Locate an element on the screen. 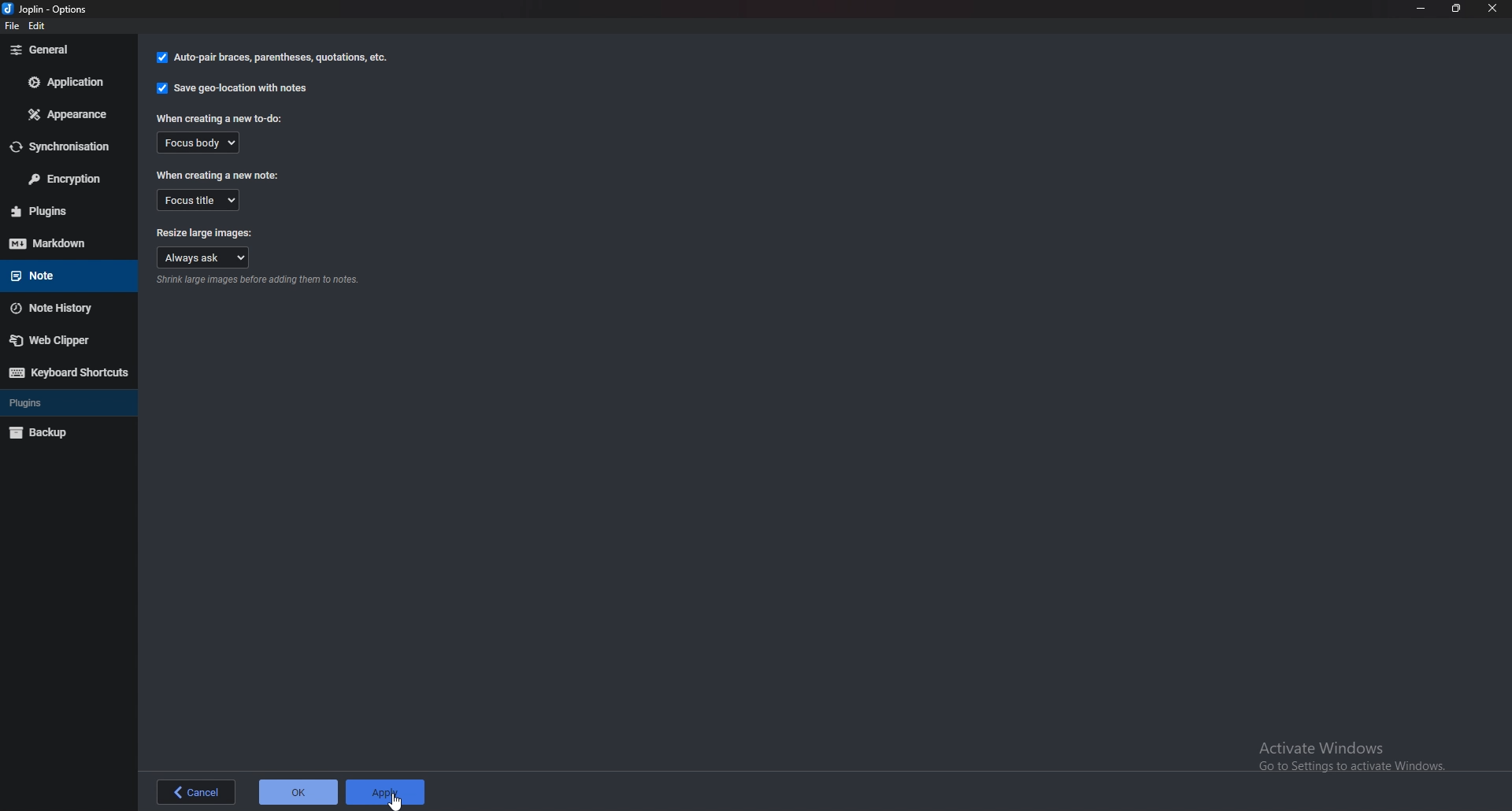 This screenshot has height=811, width=1512. Minimize is located at coordinates (1421, 9).